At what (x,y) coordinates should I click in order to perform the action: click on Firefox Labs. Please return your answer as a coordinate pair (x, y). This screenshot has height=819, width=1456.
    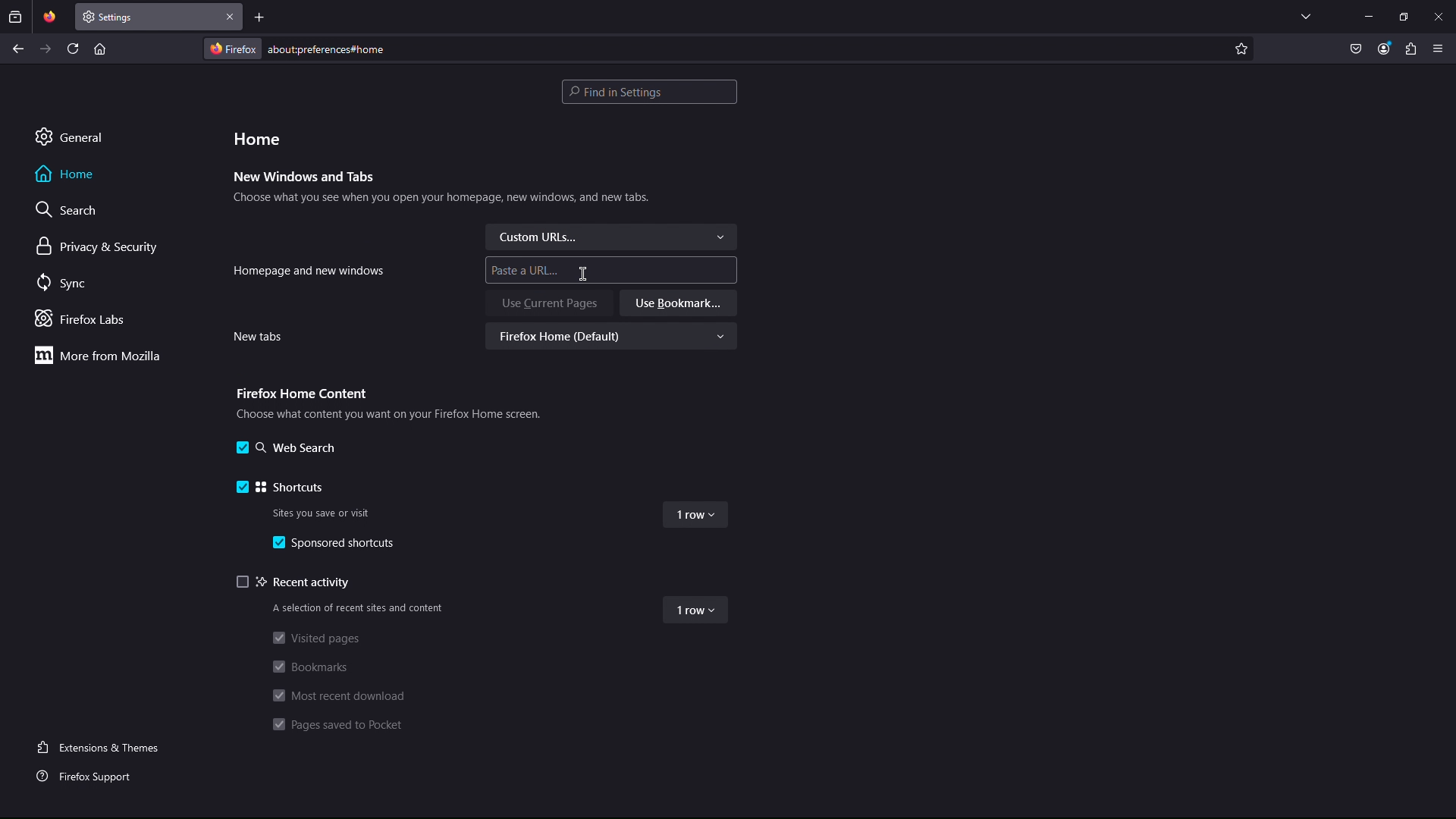
    Looking at the image, I should click on (86, 320).